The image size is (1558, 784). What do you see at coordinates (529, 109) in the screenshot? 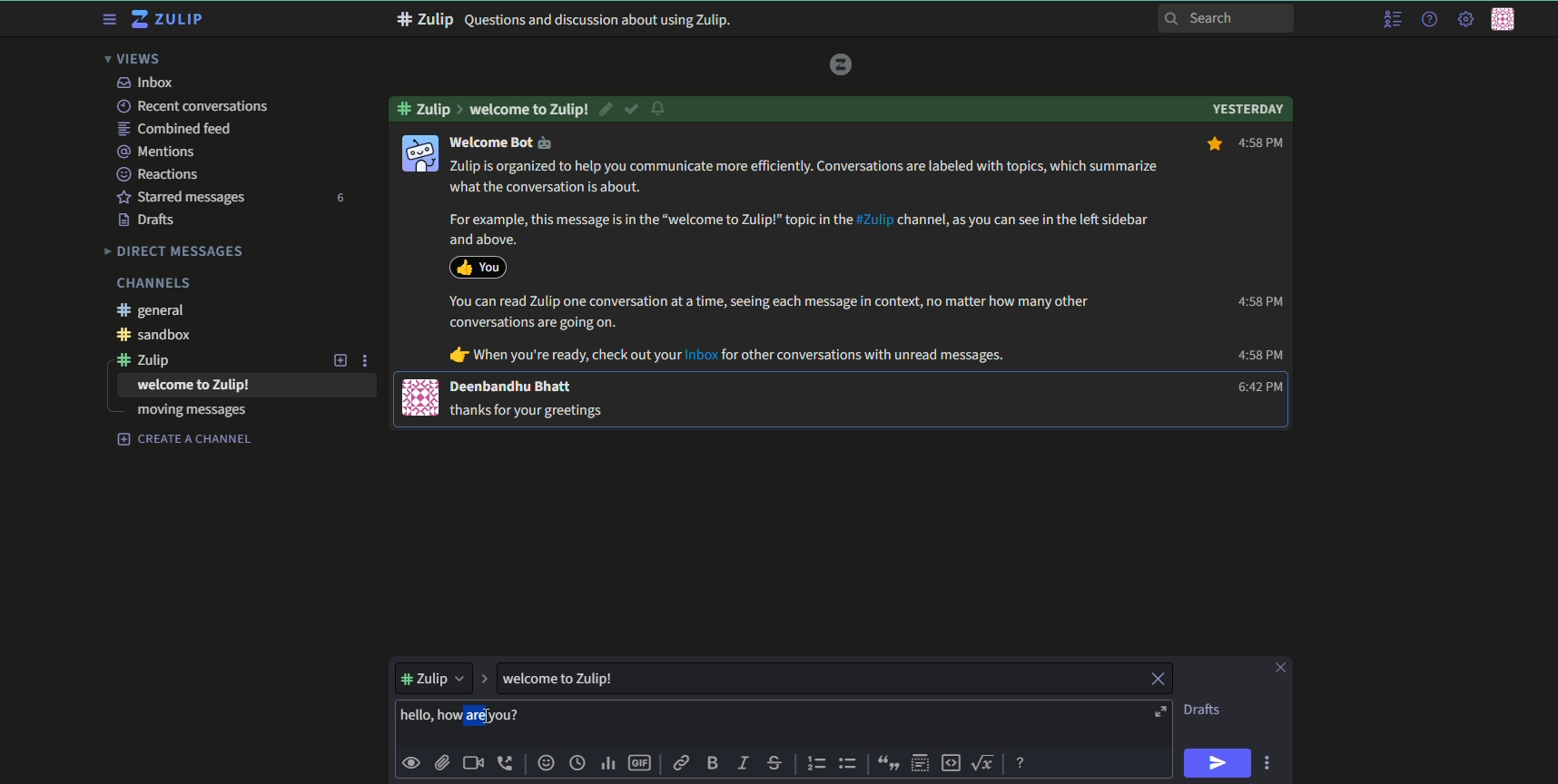
I see `welcome to zulip!` at bounding box center [529, 109].